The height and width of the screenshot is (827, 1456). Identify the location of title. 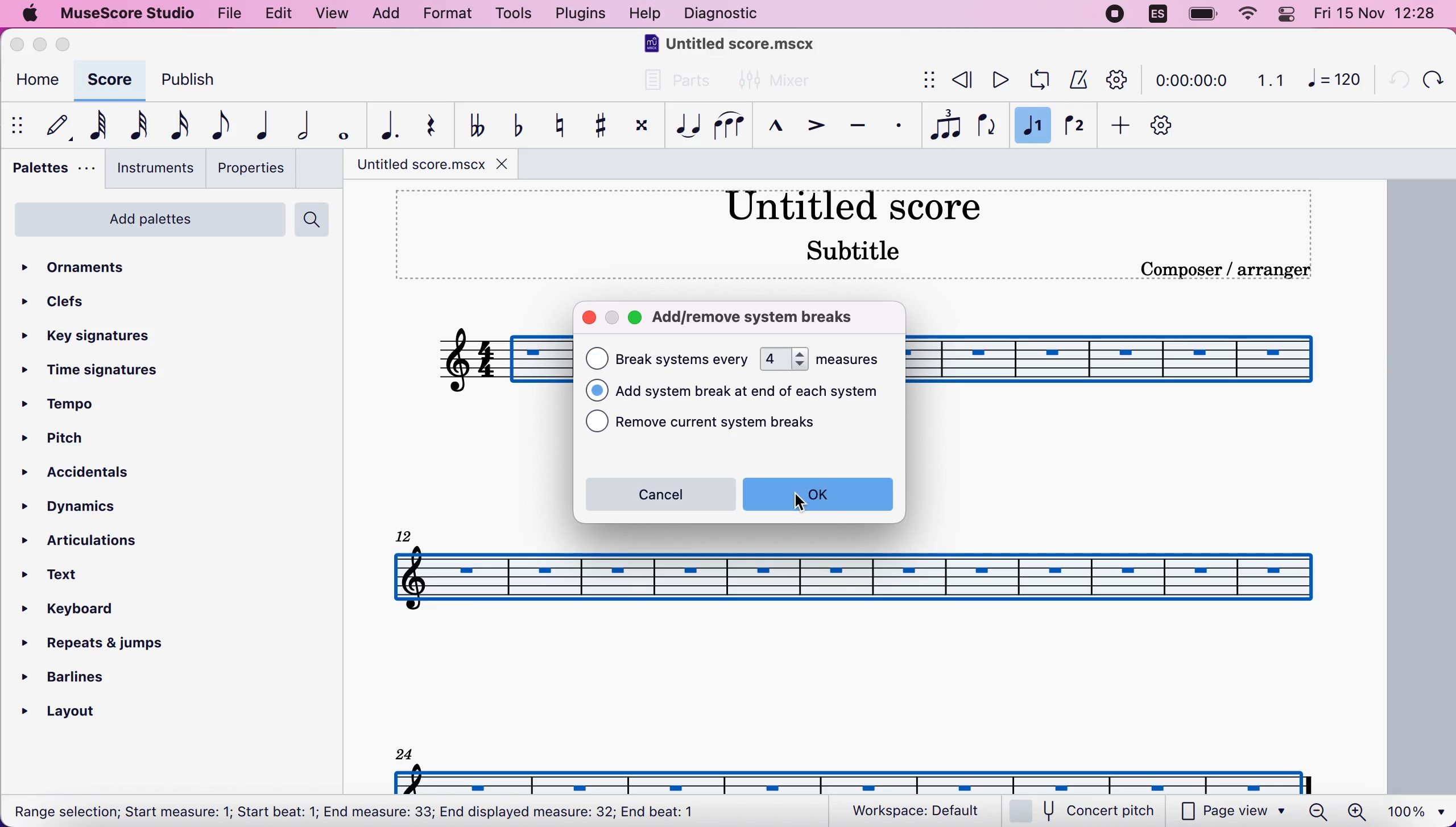
(852, 204).